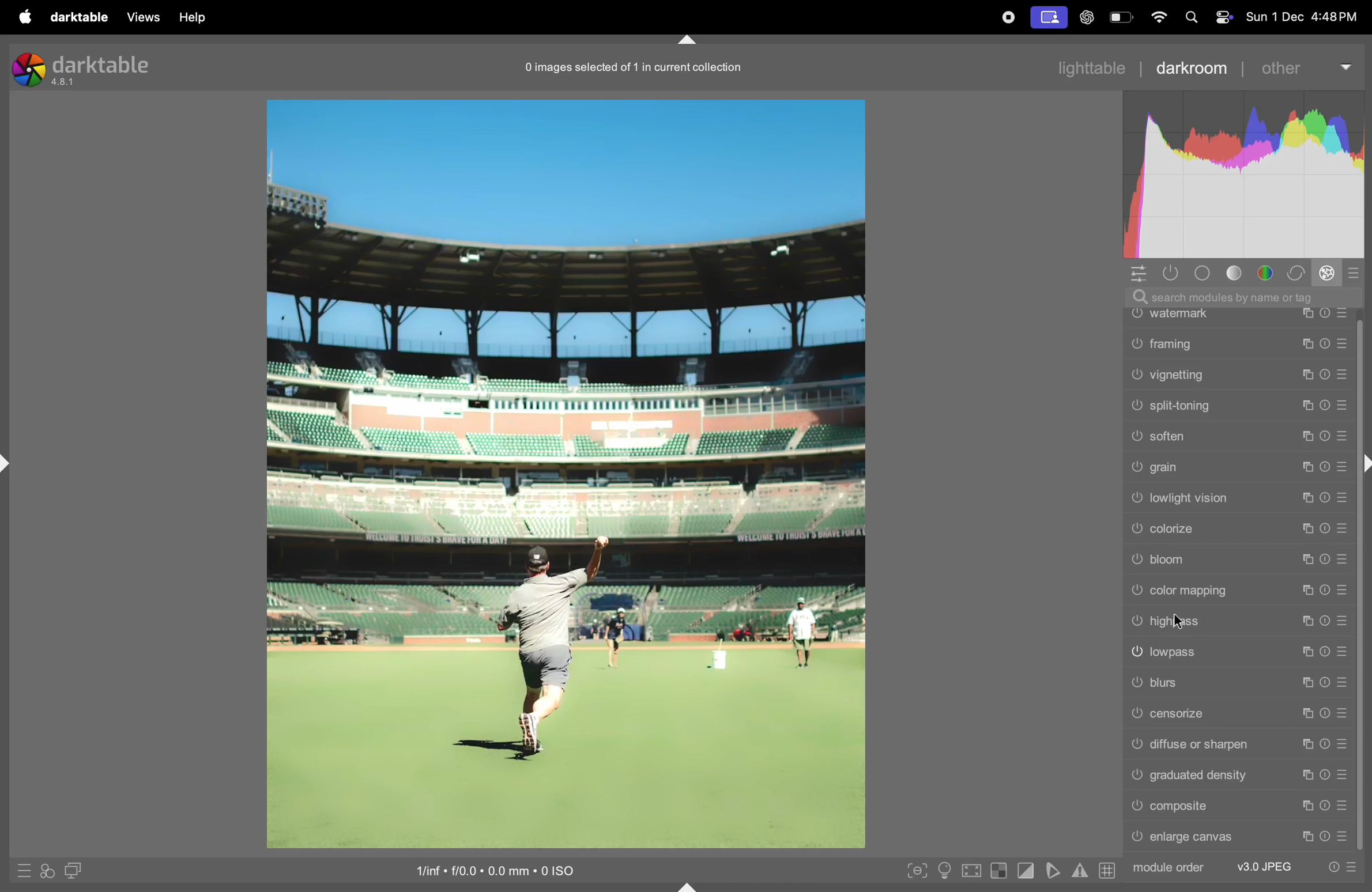 The image size is (1372, 892). I want to click on soften, so click(1238, 436).